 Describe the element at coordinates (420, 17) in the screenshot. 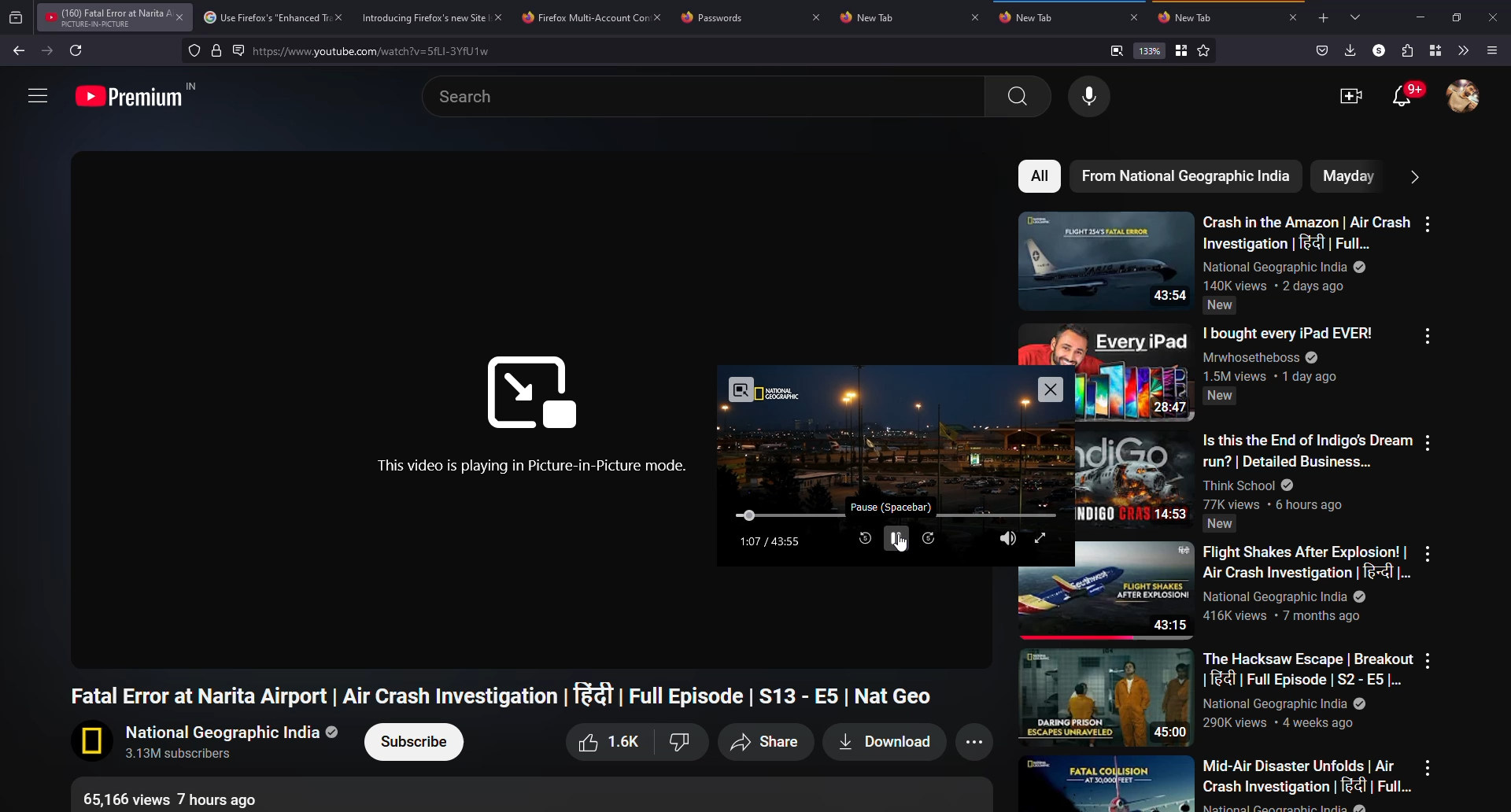

I see `Introducing Firefox tab` at that location.